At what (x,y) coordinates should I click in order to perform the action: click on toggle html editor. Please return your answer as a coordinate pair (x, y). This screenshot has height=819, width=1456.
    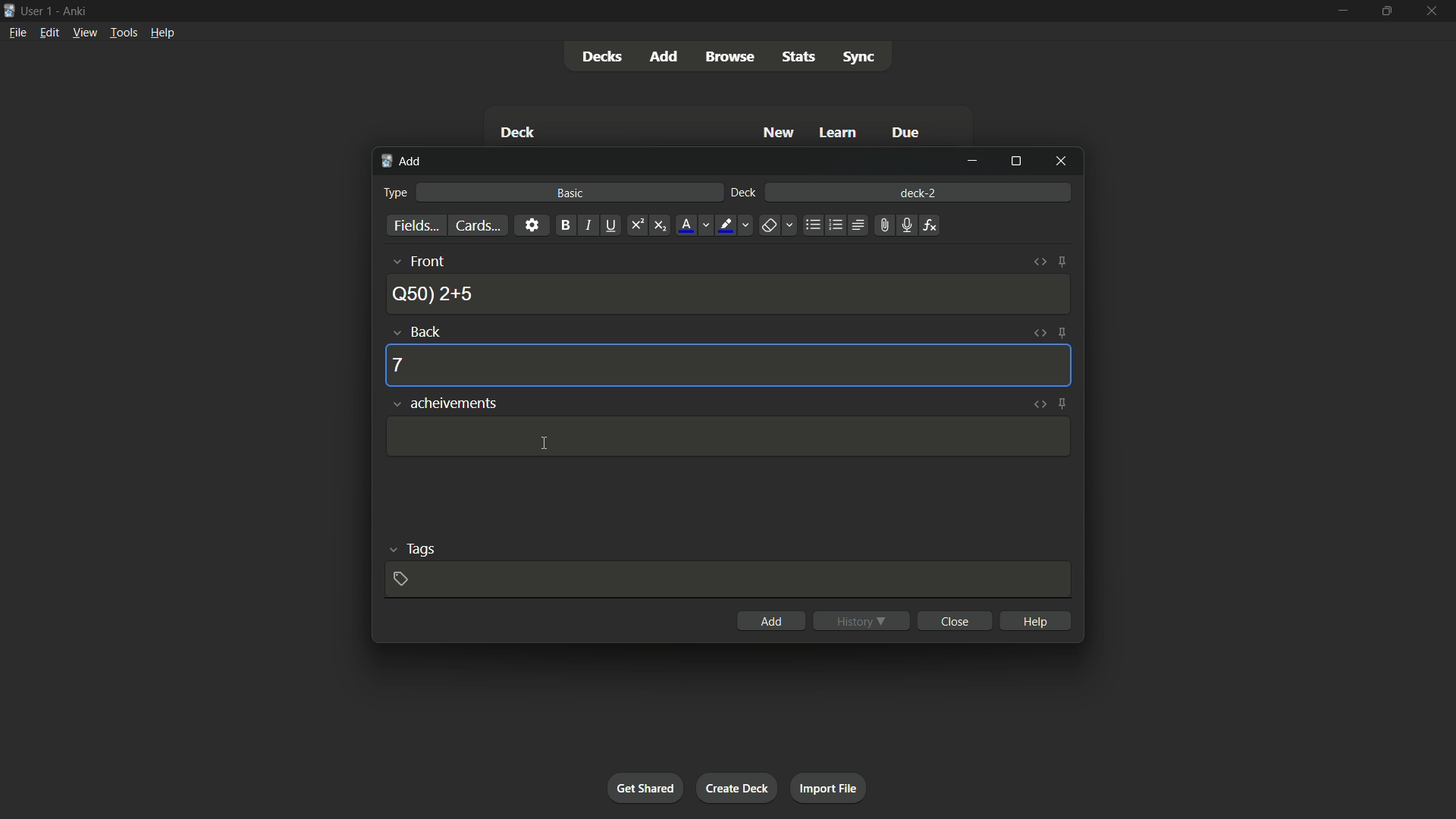
    Looking at the image, I should click on (1038, 262).